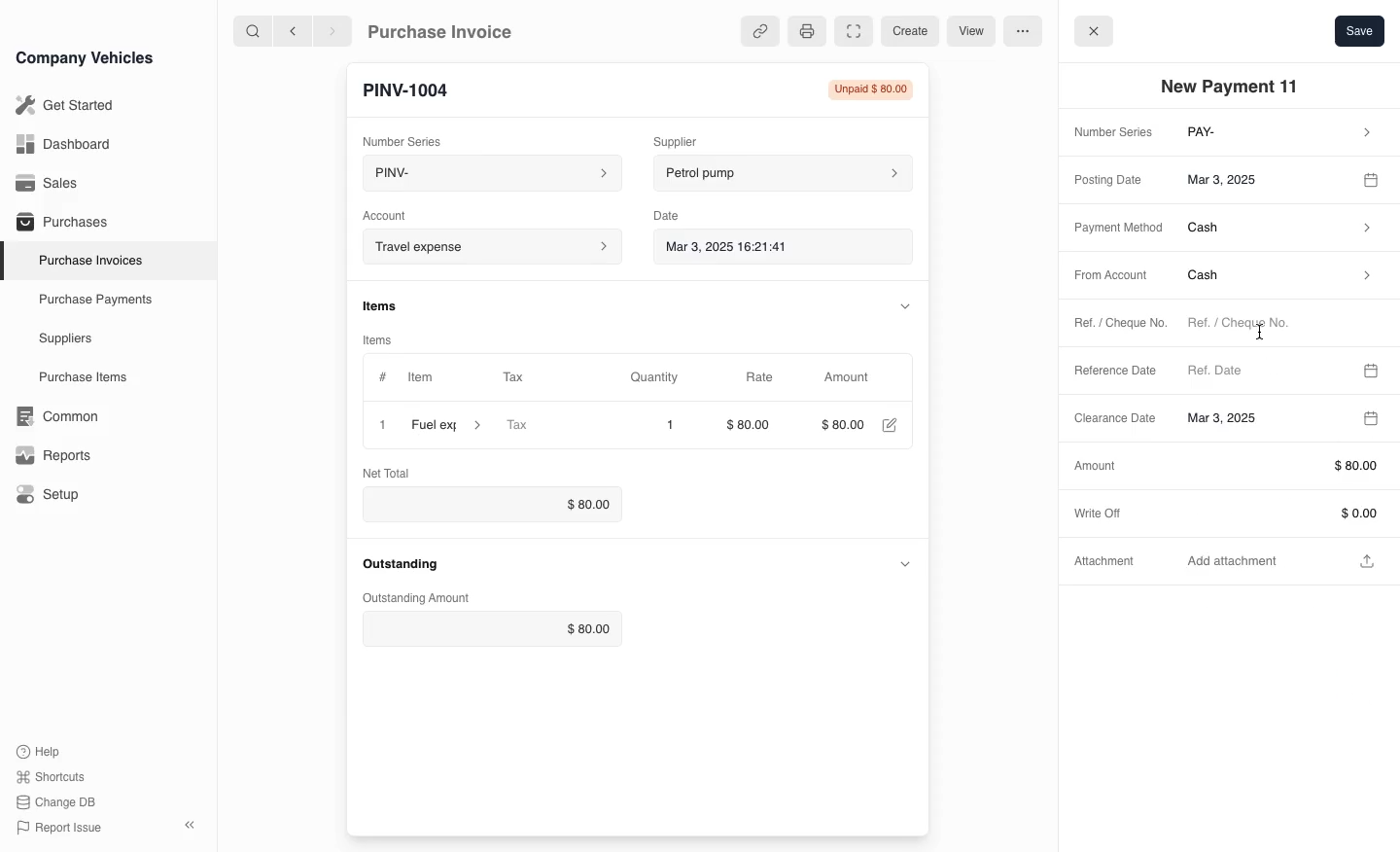 The width and height of the screenshot is (1400, 852). Describe the element at coordinates (490, 246) in the screenshot. I see `Account` at that location.